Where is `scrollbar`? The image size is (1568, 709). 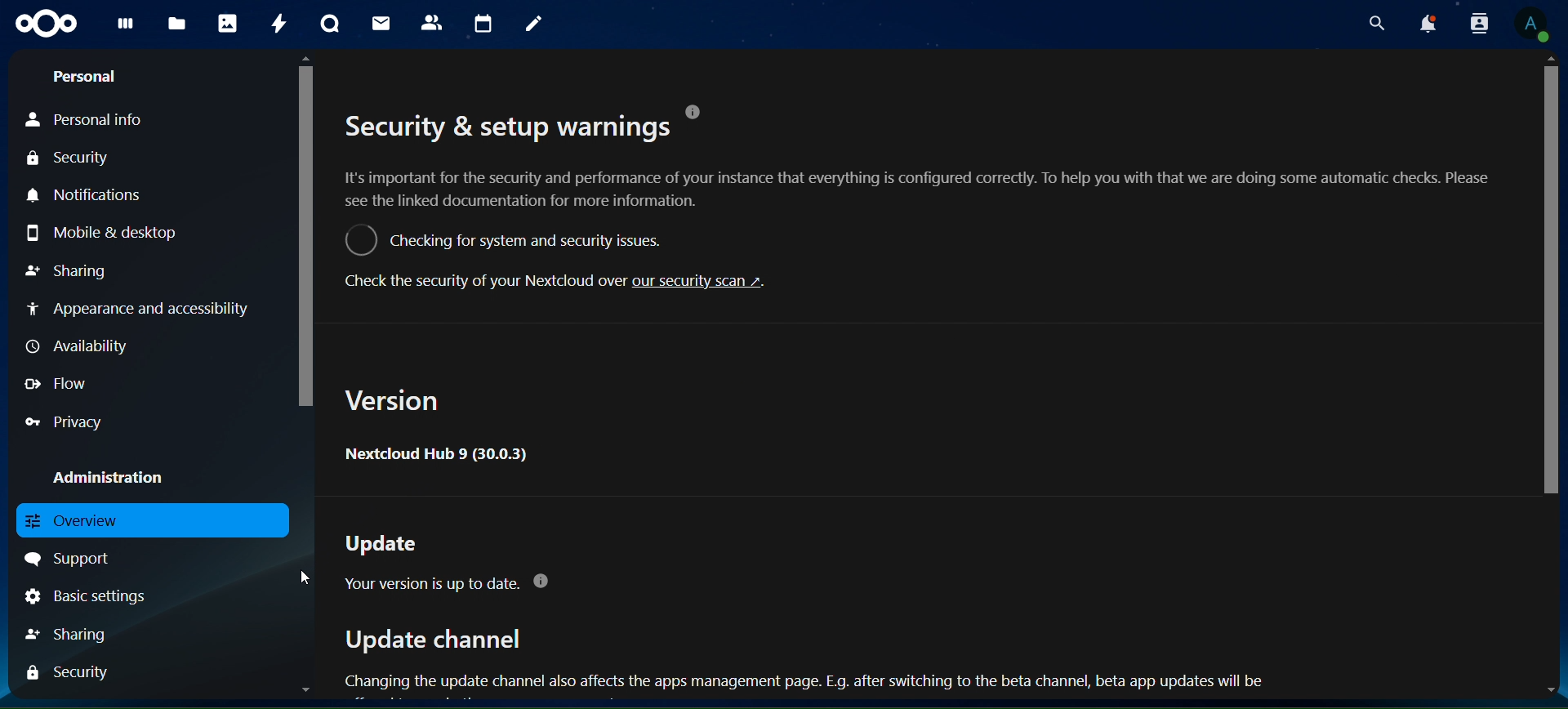
scrollbar is located at coordinates (1552, 286).